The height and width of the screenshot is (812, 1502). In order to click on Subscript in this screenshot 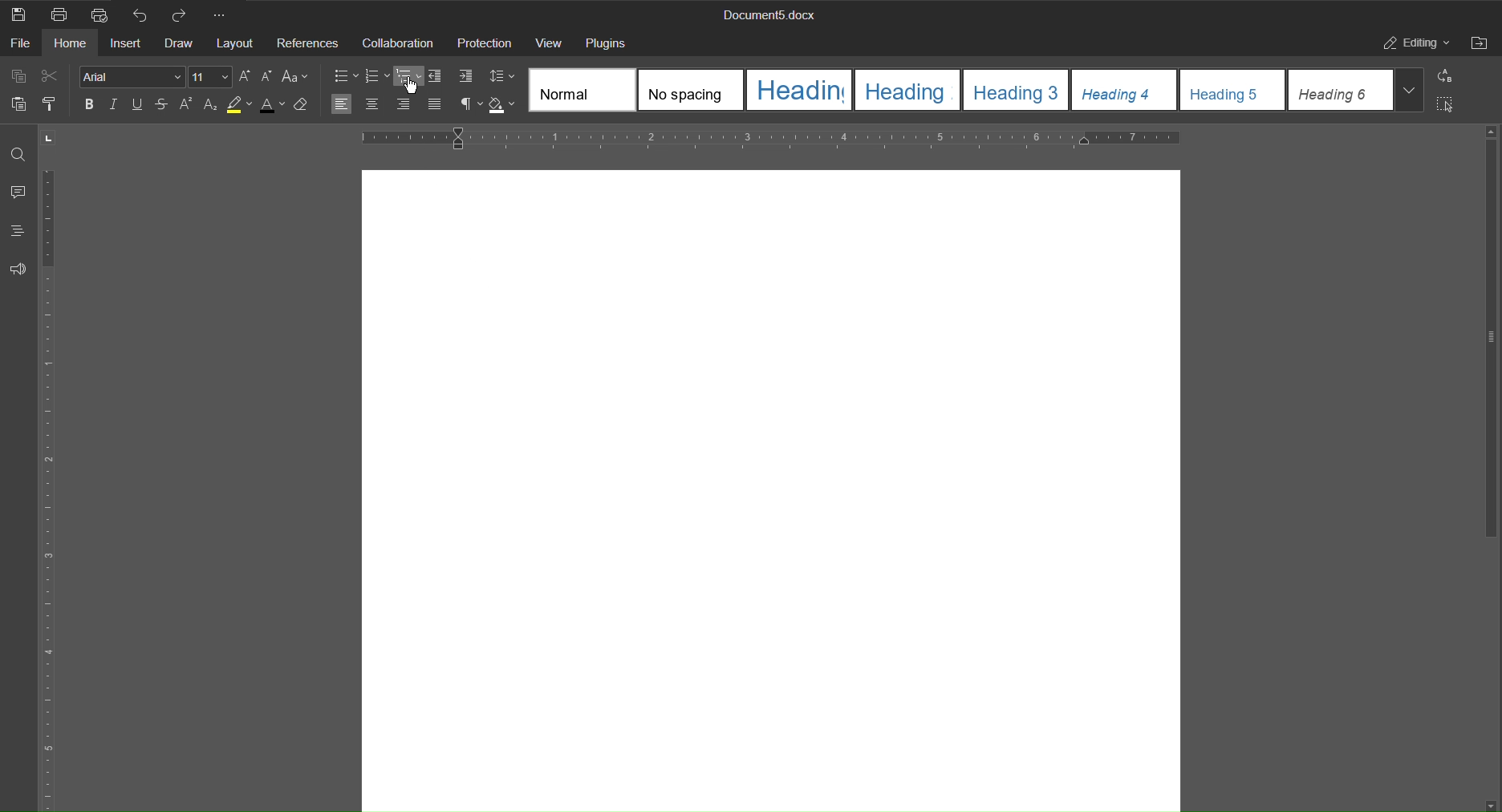, I will do `click(213, 104)`.